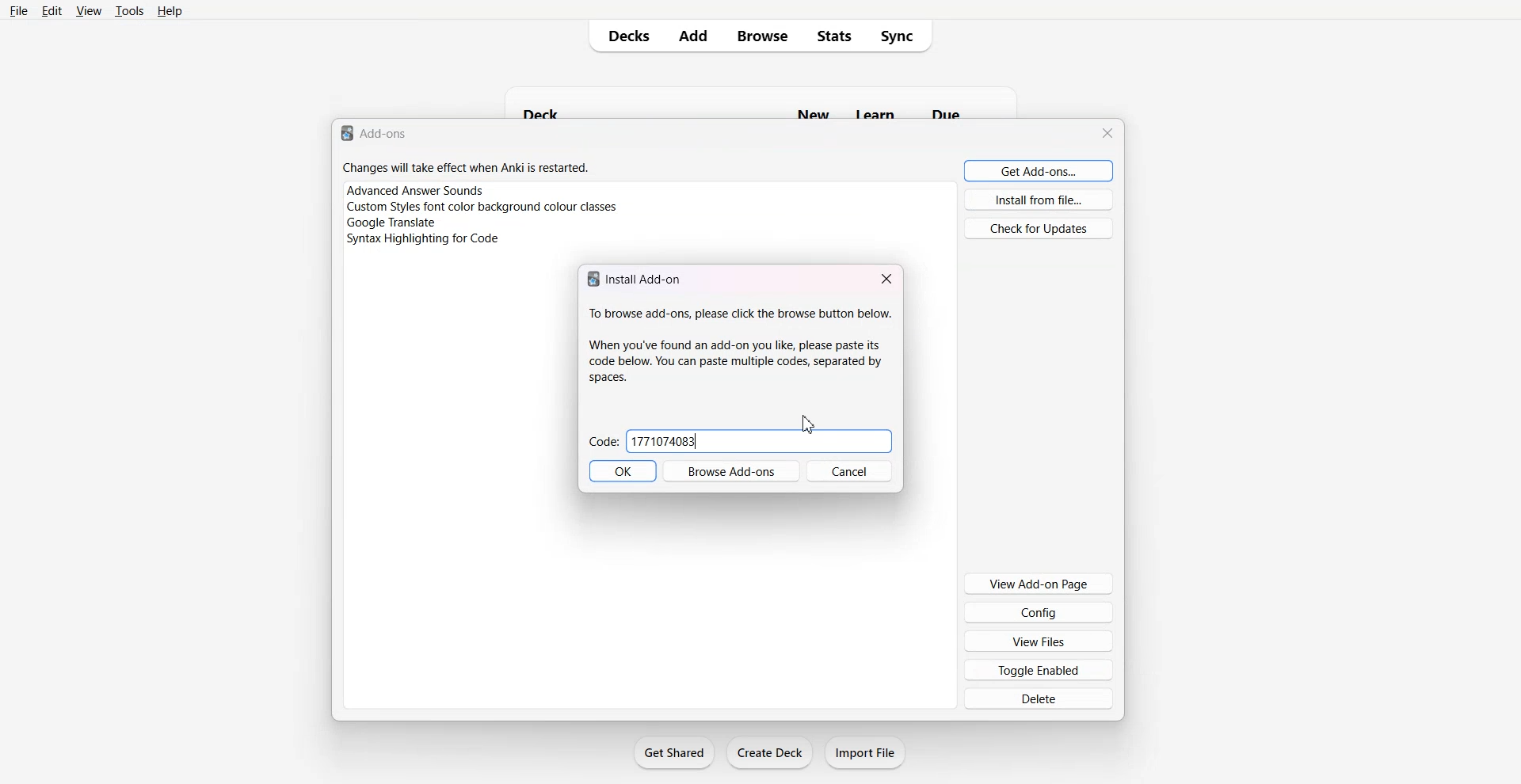  Describe the element at coordinates (838, 36) in the screenshot. I see `Stats` at that location.